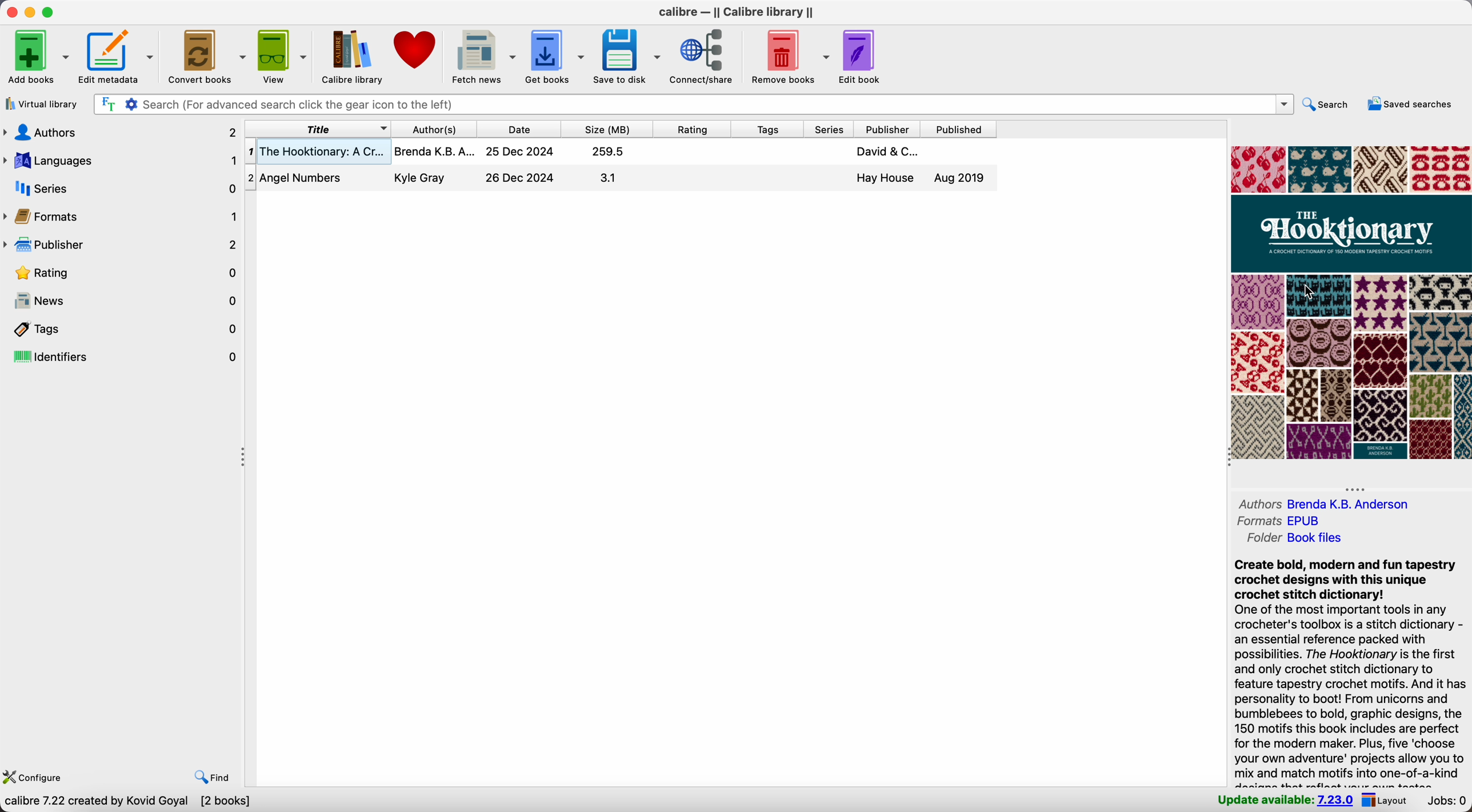  What do you see at coordinates (1277, 519) in the screenshot?
I see `formats` at bounding box center [1277, 519].